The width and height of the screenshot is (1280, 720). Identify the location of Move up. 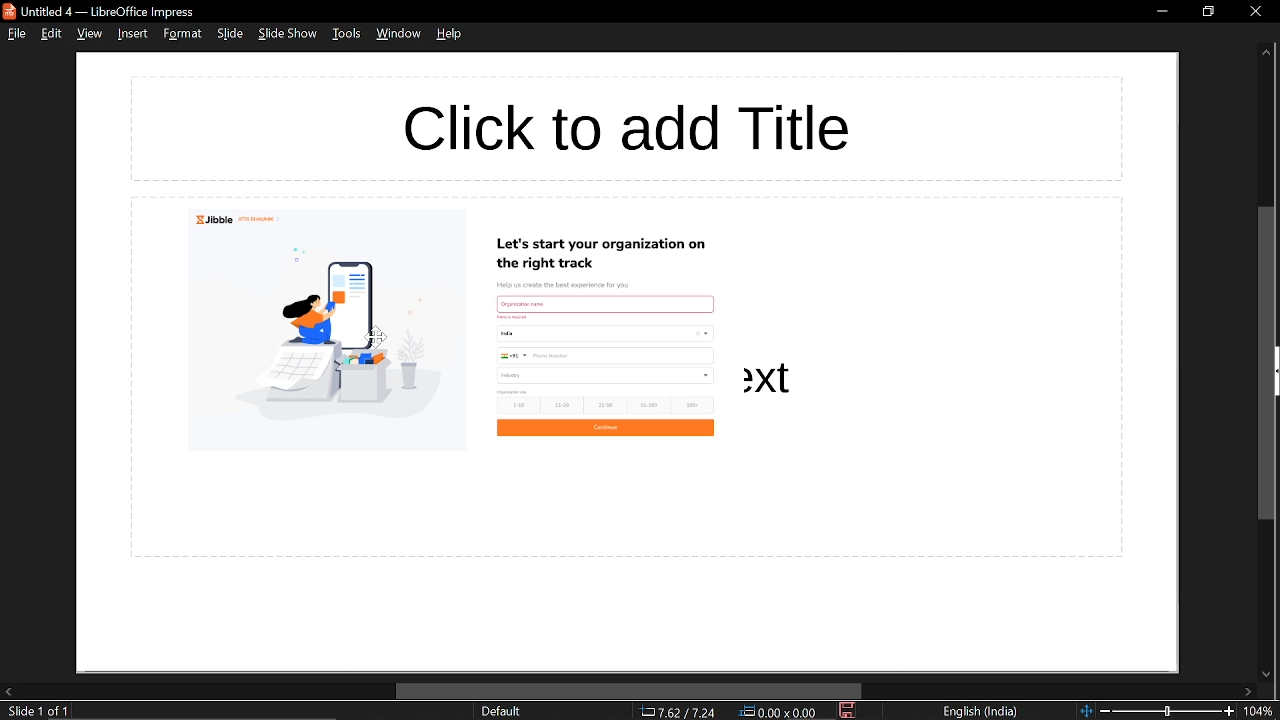
(1266, 53).